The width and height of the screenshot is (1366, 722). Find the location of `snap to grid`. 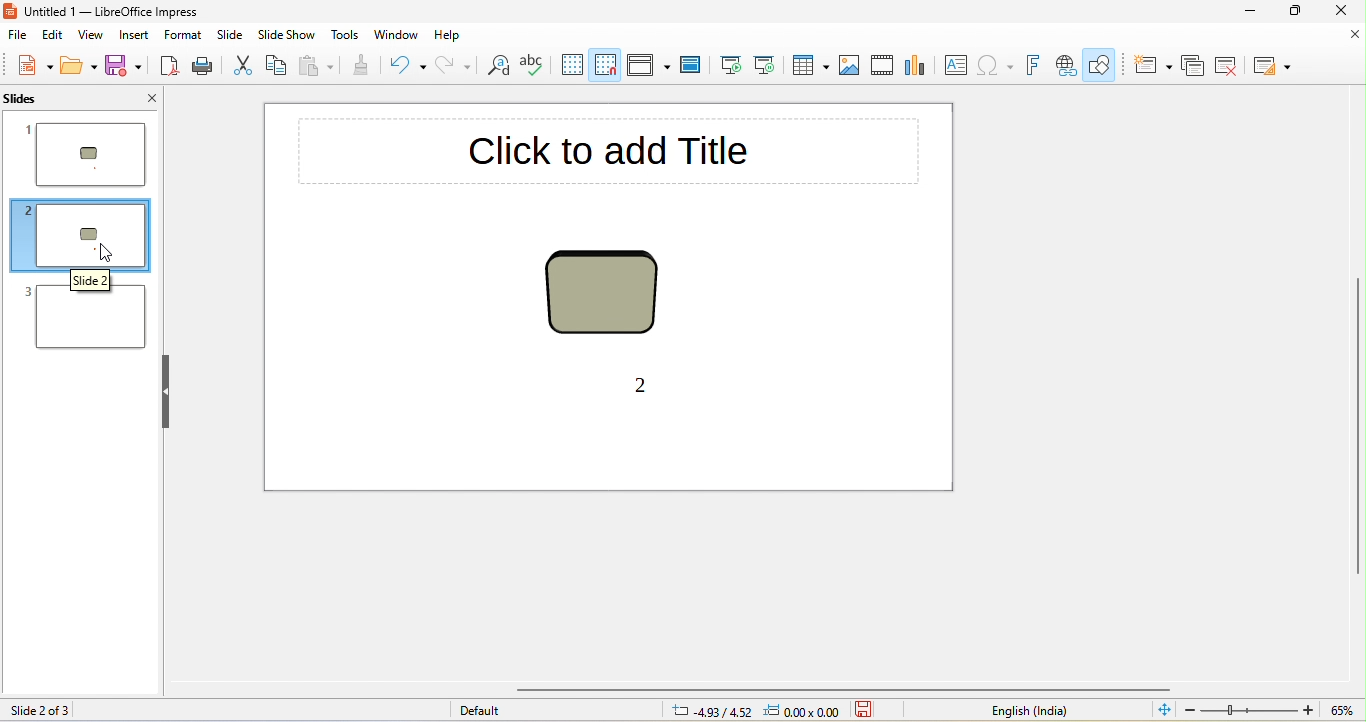

snap to grid is located at coordinates (607, 65).